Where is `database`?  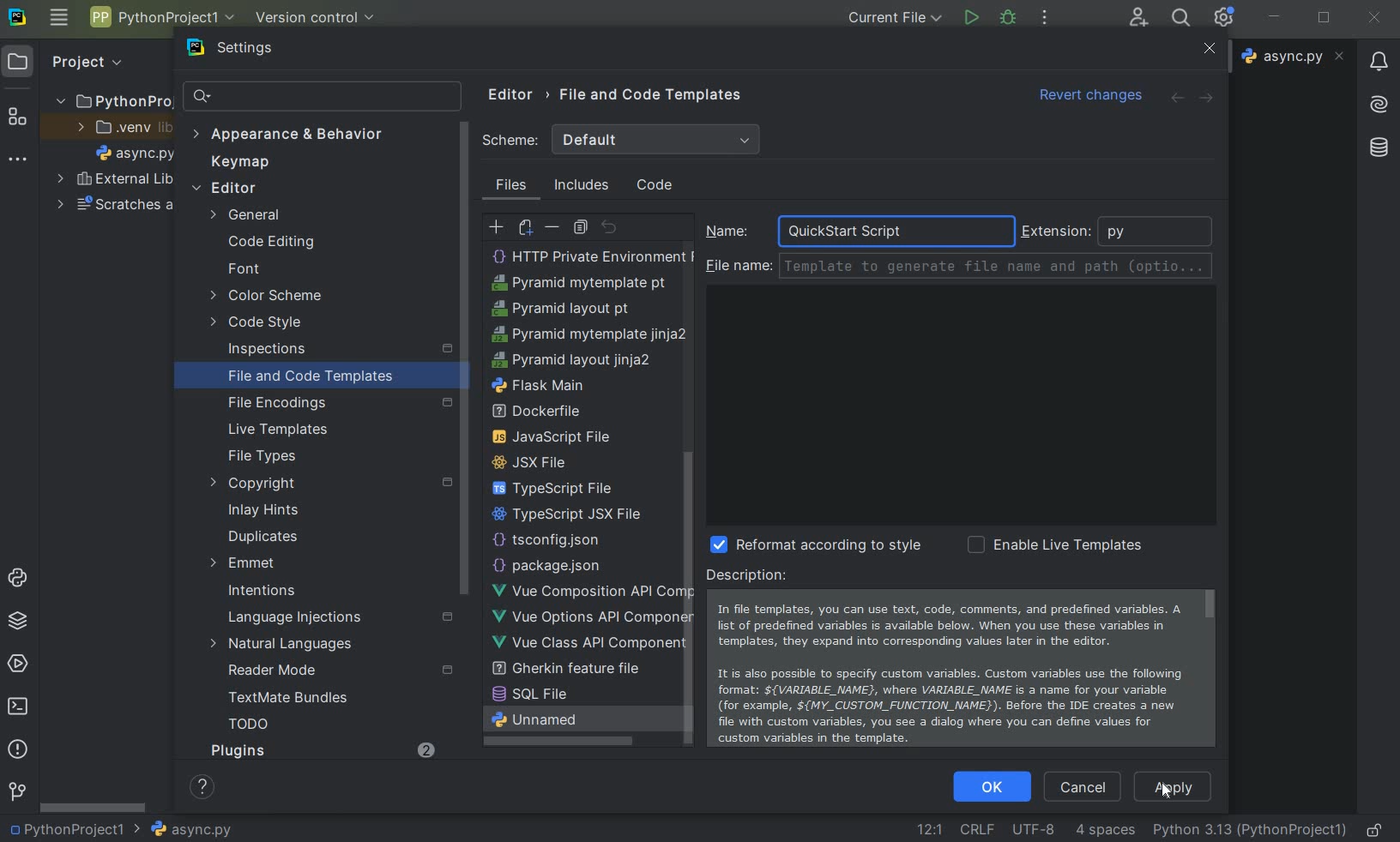 database is located at coordinates (1379, 153).